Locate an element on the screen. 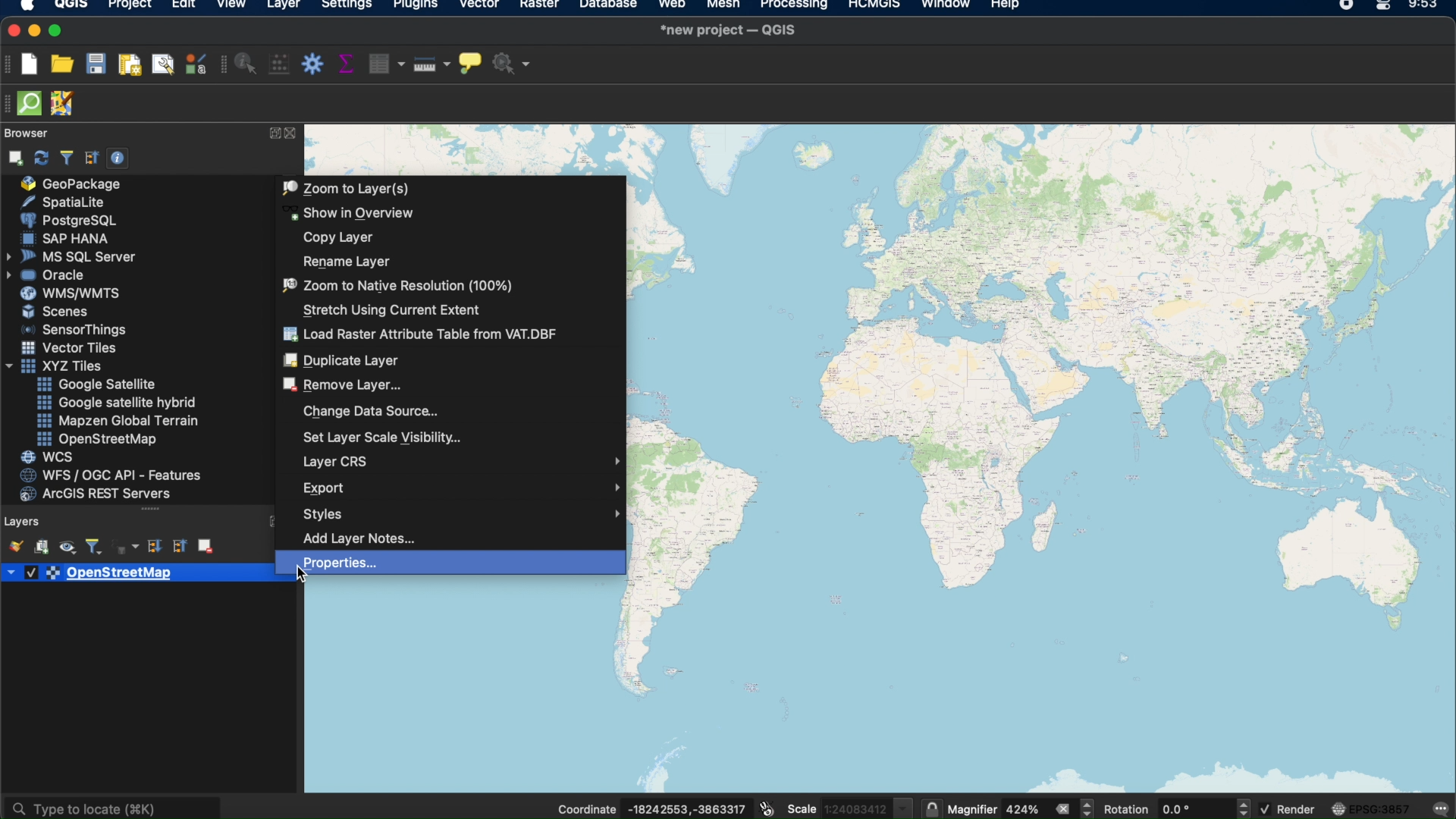 This screenshot has height=819, width=1456. zoom to native resolution (100%) is located at coordinates (394, 284).